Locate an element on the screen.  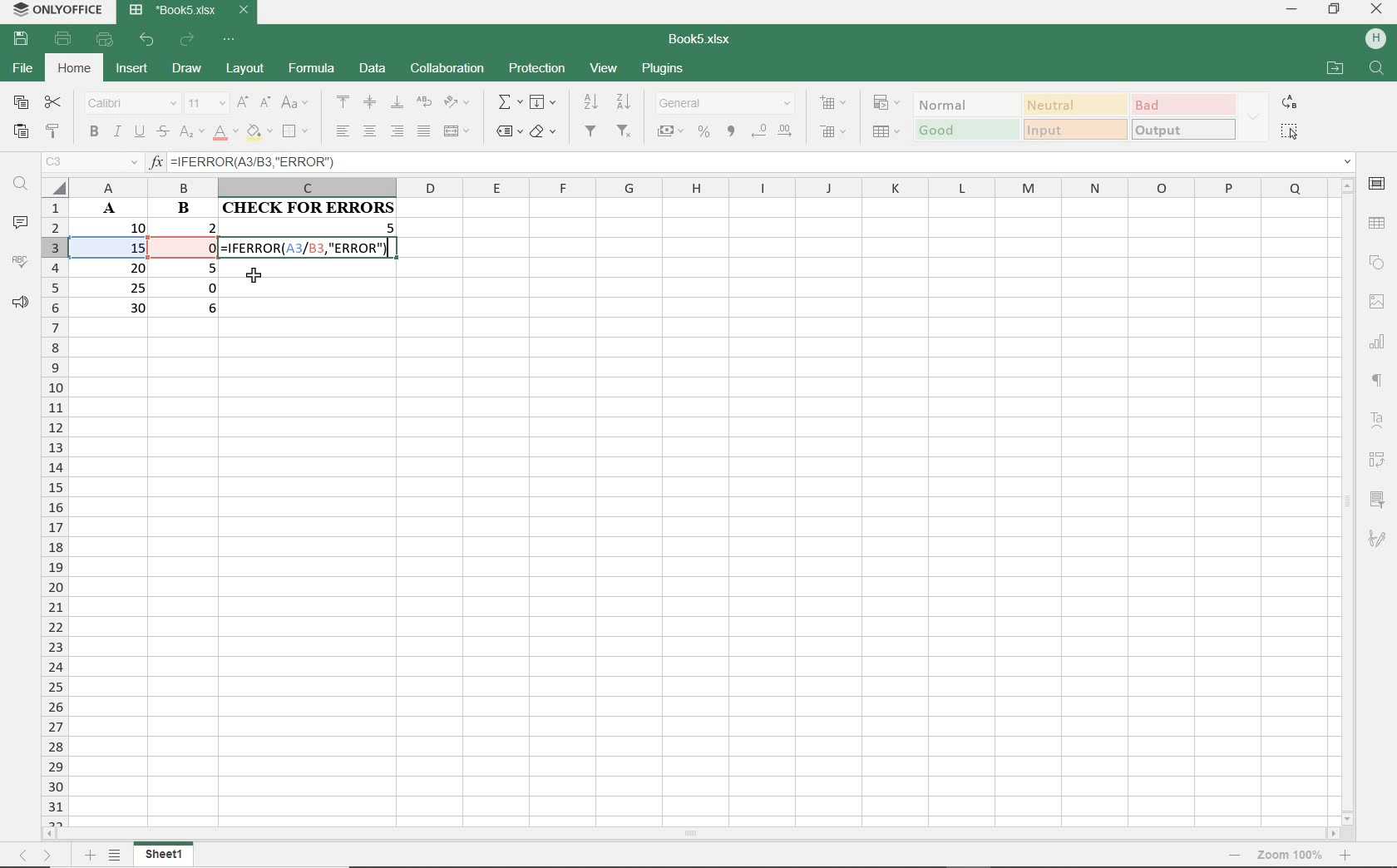
CELL SETTINGS is located at coordinates (1377, 186).